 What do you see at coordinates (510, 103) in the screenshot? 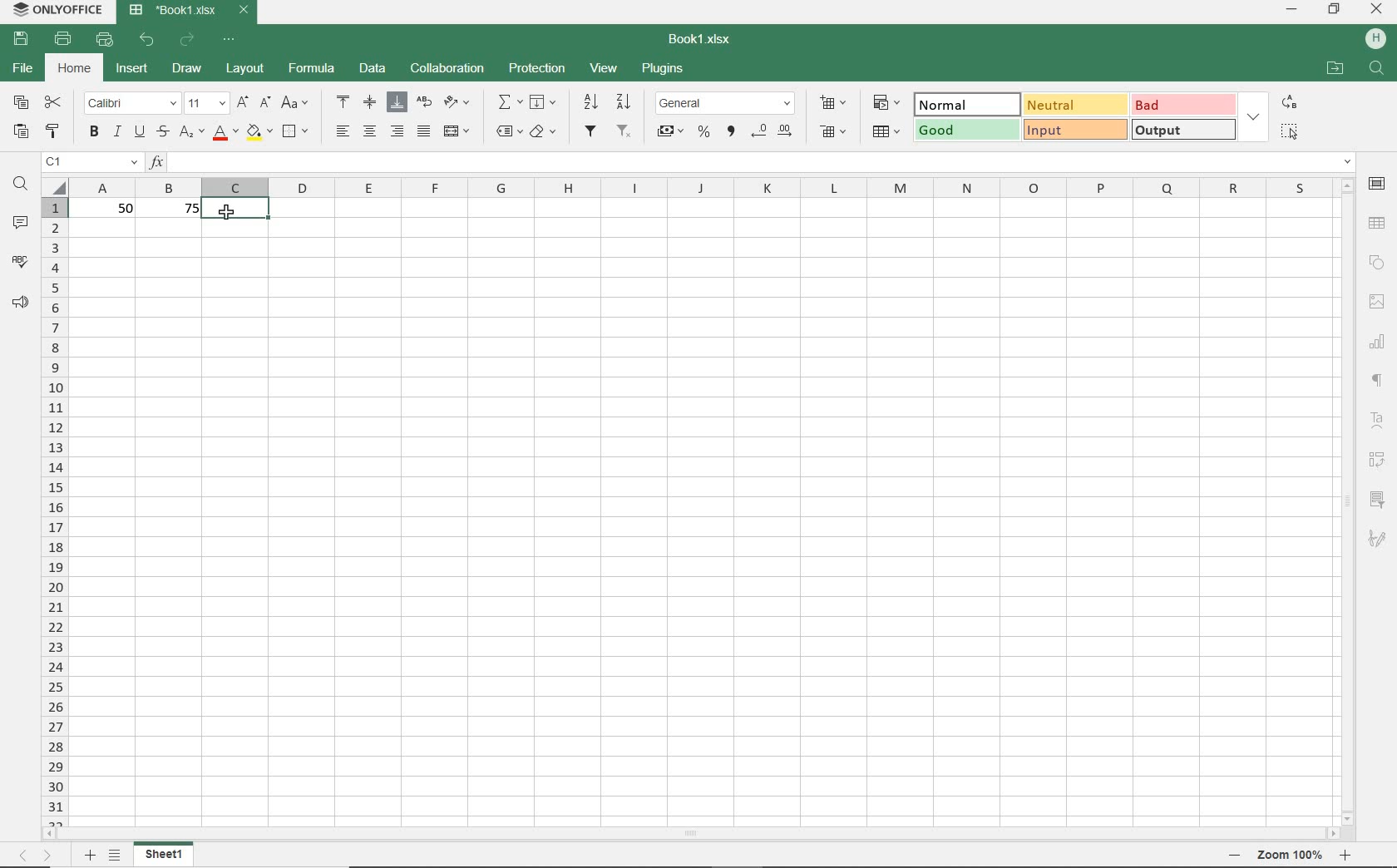
I see `summation` at bounding box center [510, 103].